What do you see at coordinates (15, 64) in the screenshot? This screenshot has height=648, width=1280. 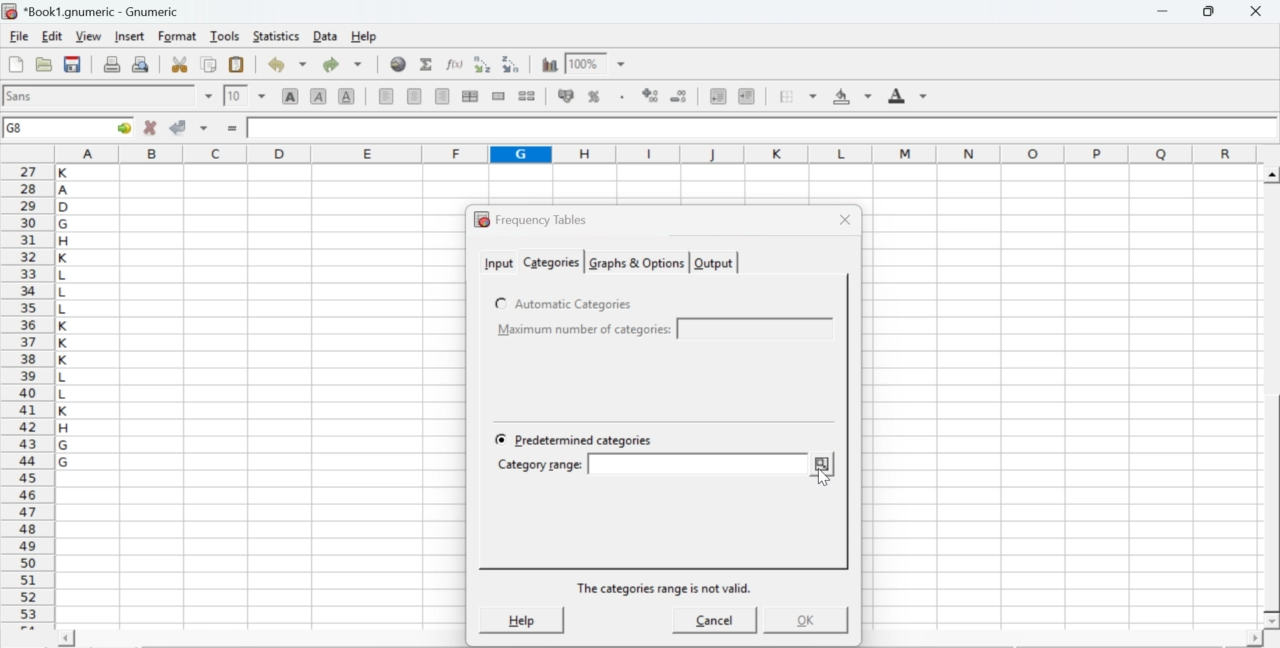 I see `new` at bounding box center [15, 64].